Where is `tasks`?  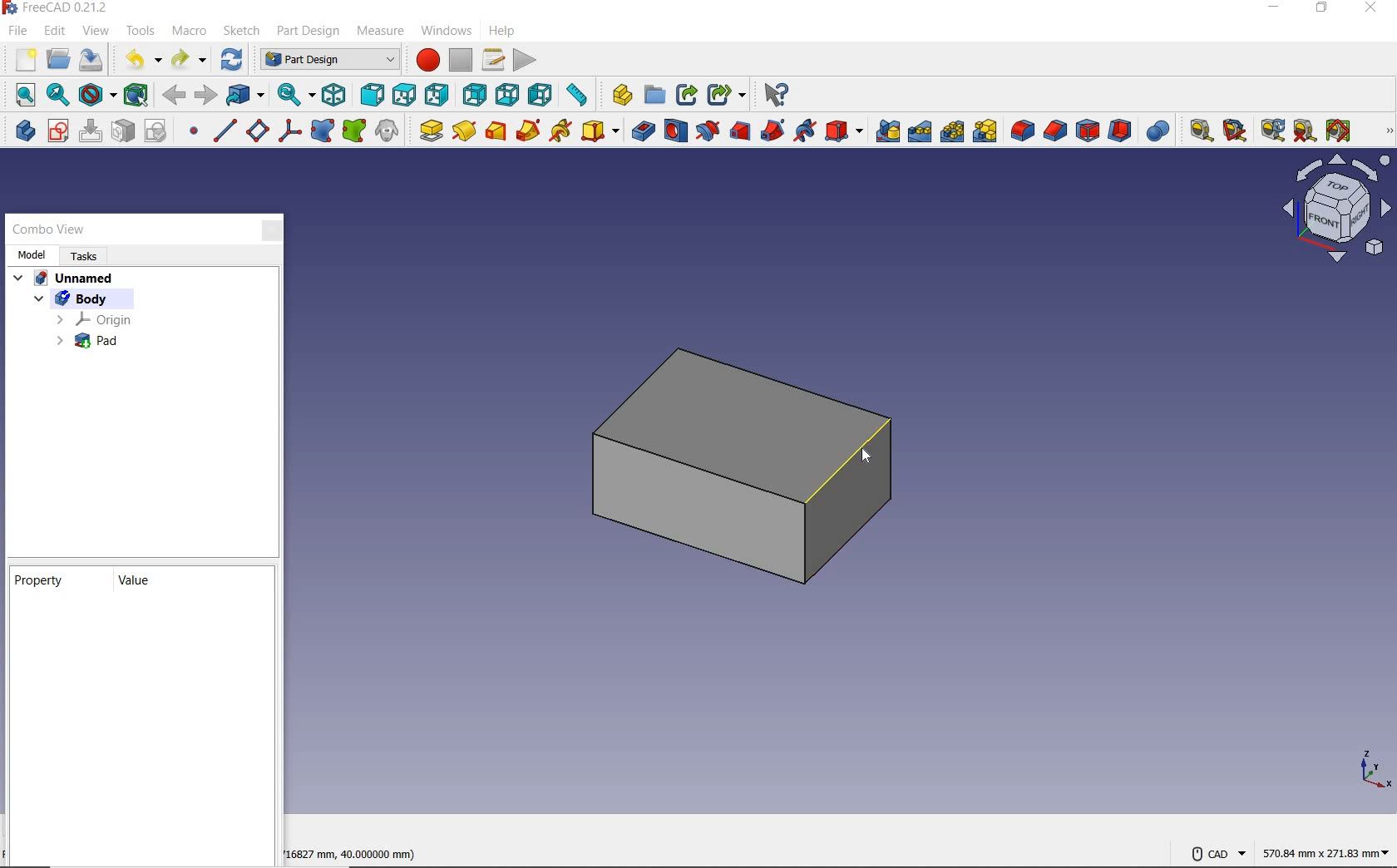 tasks is located at coordinates (87, 257).